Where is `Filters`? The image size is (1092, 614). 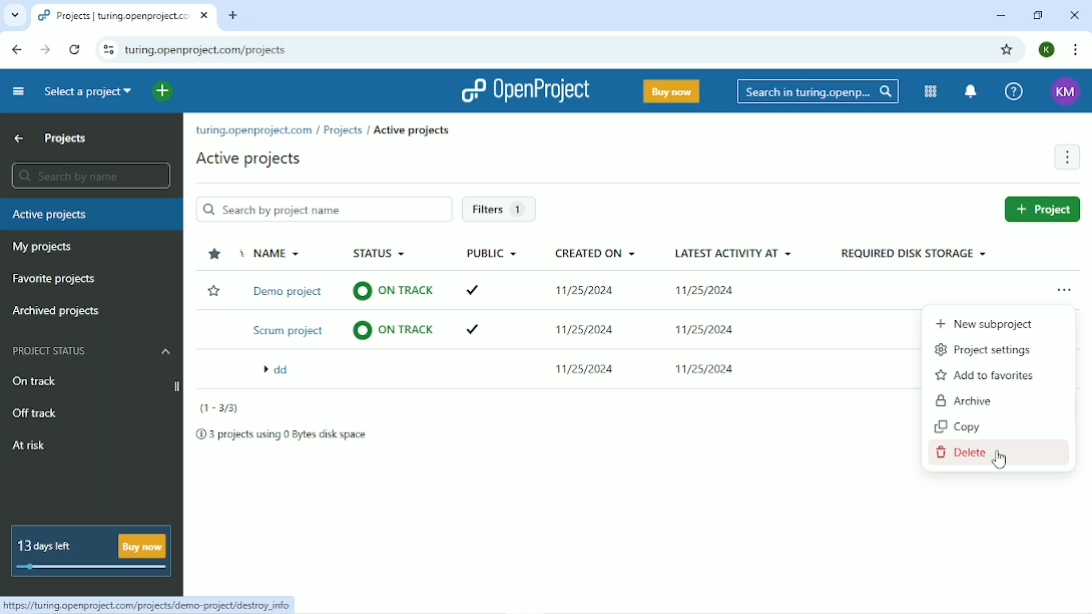 Filters is located at coordinates (502, 209).